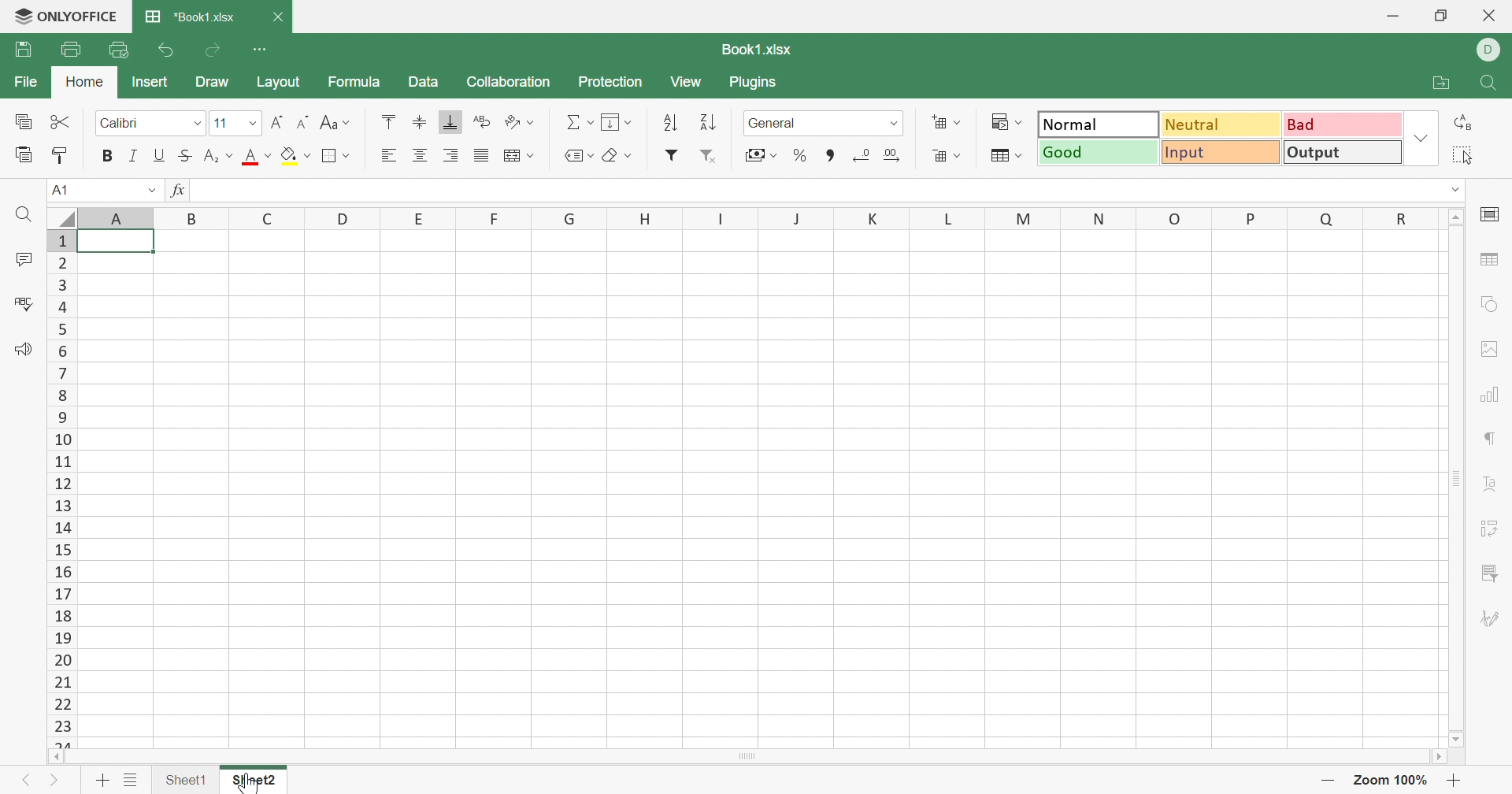 This screenshot has height=794, width=1512. Describe the element at coordinates (301, 121) in the screenshot. I see `Decrement font size` at that location.